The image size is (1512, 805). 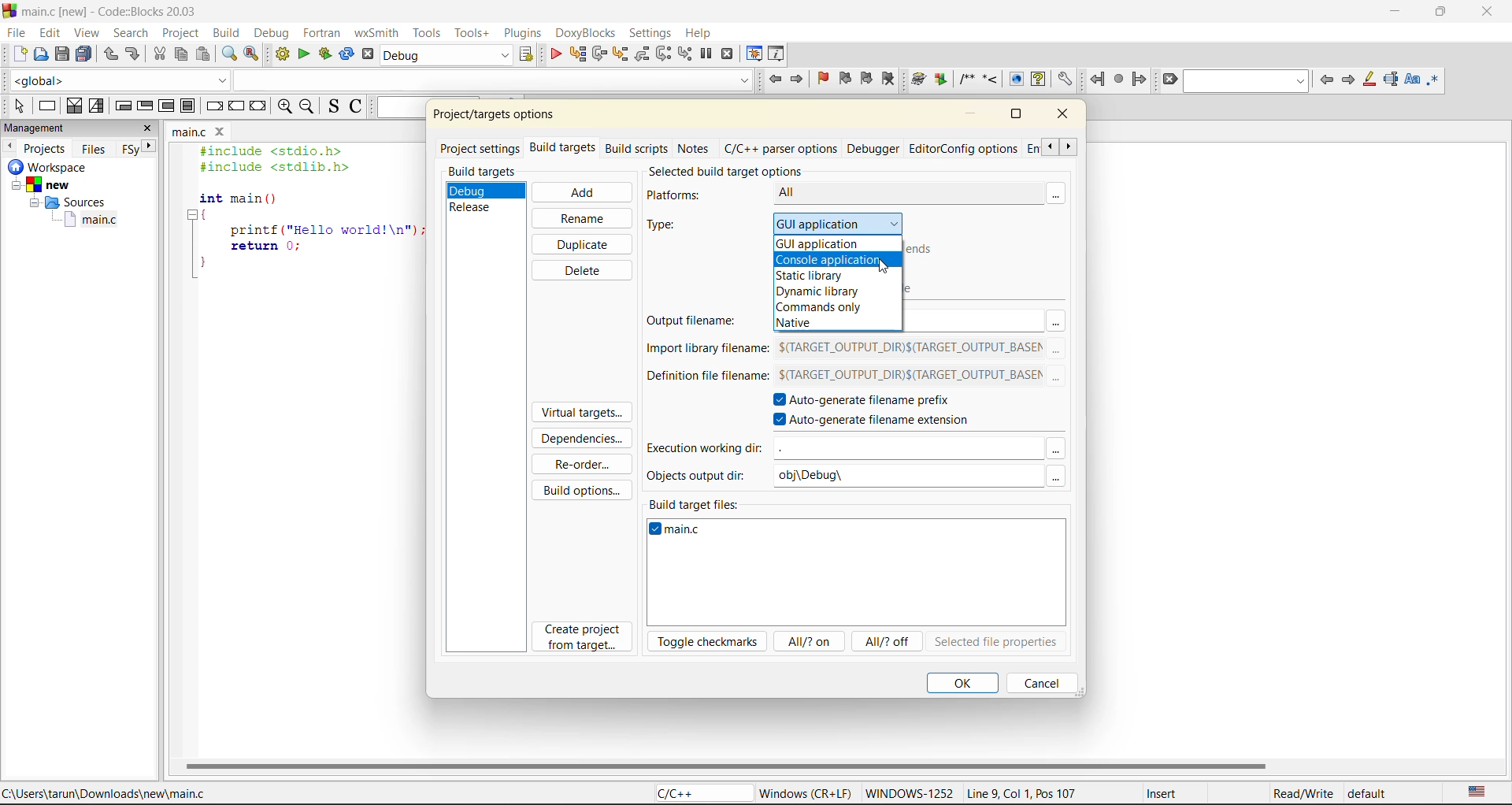 I want to click on definition file name, so click(x=703, y=380).